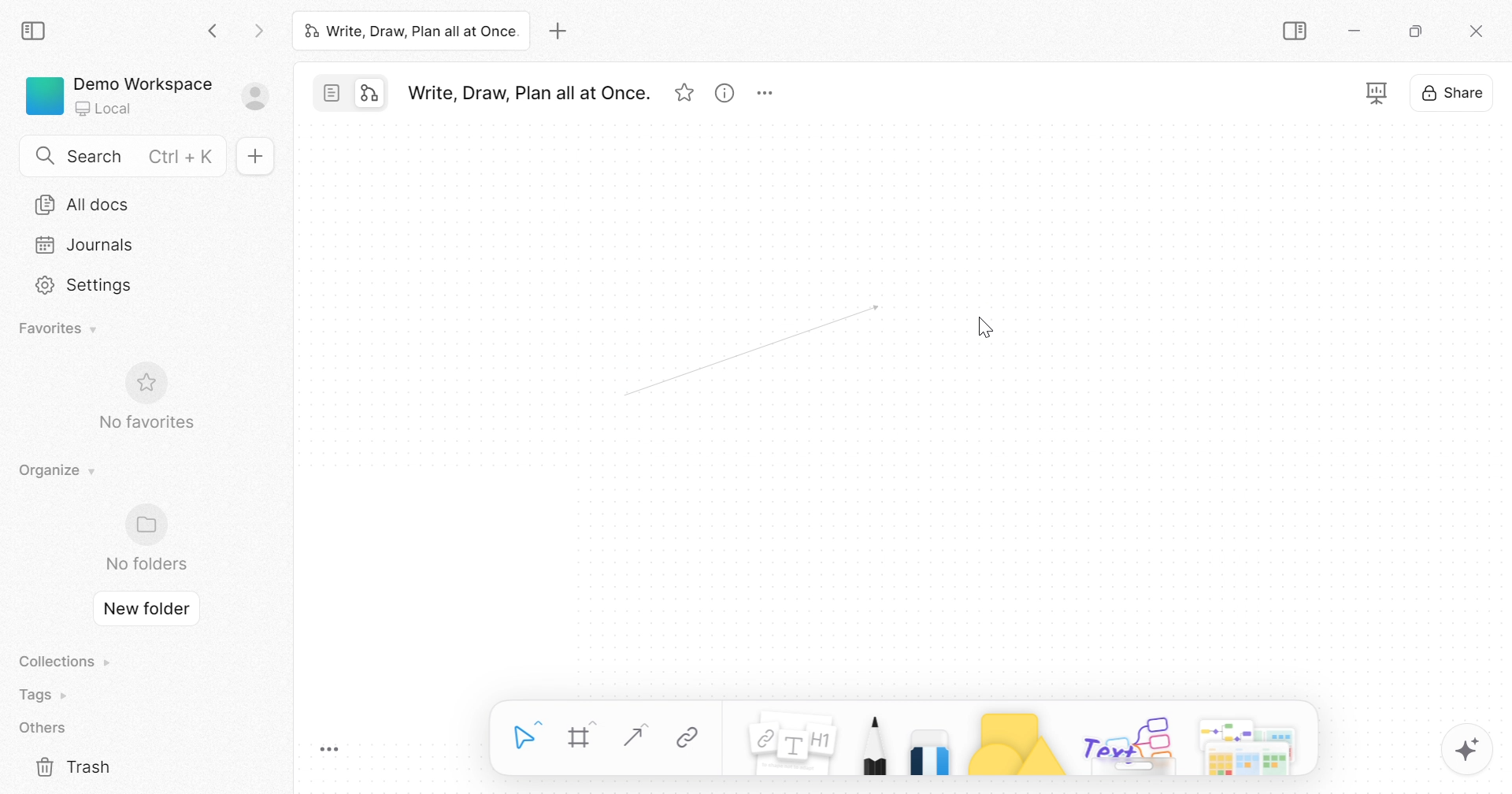  I want to click on AFFINE AI, so click(1469, 753).